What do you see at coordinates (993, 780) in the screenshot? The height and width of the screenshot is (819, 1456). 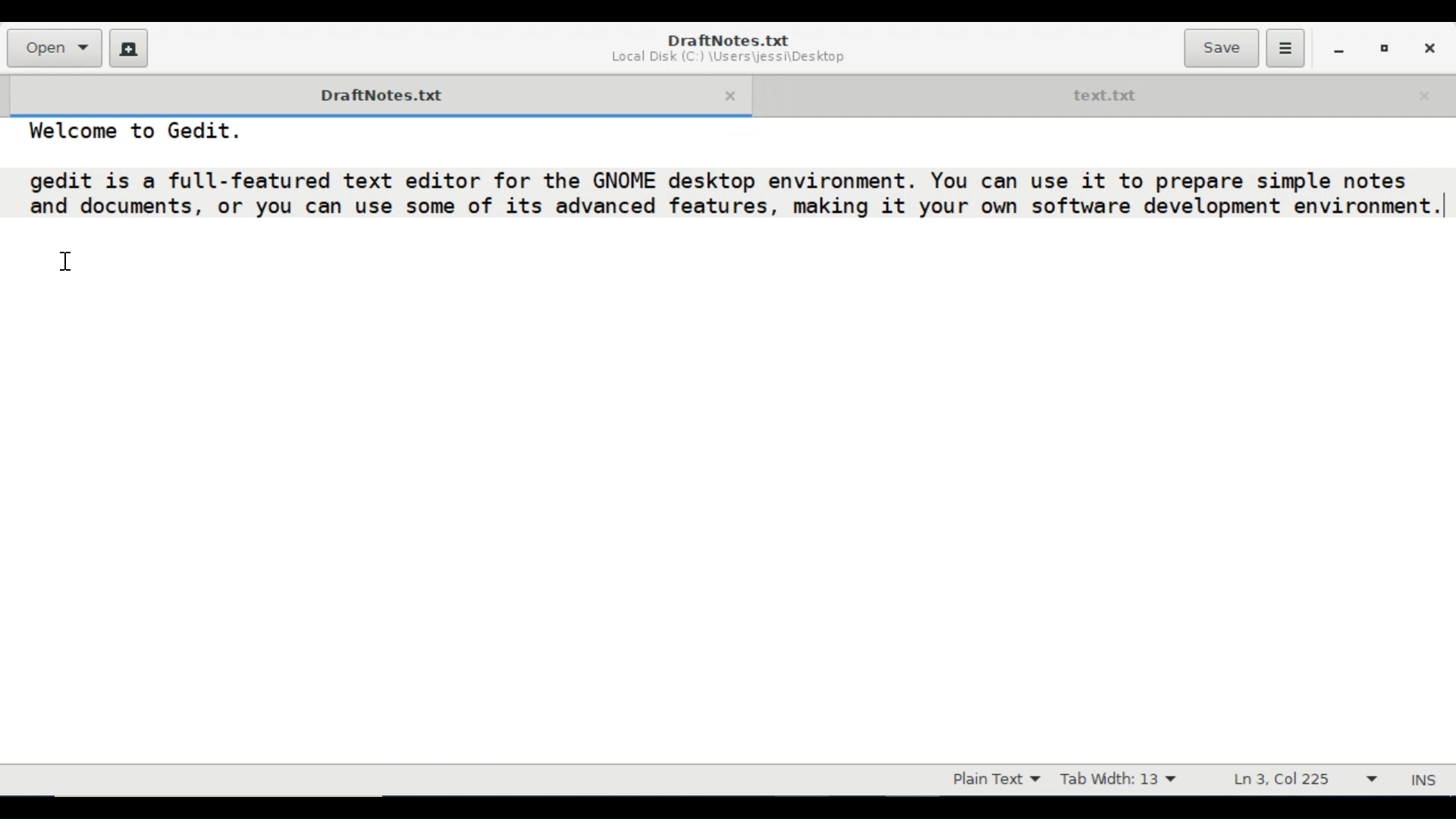 I see `File type` at bounding box center [993, 780].